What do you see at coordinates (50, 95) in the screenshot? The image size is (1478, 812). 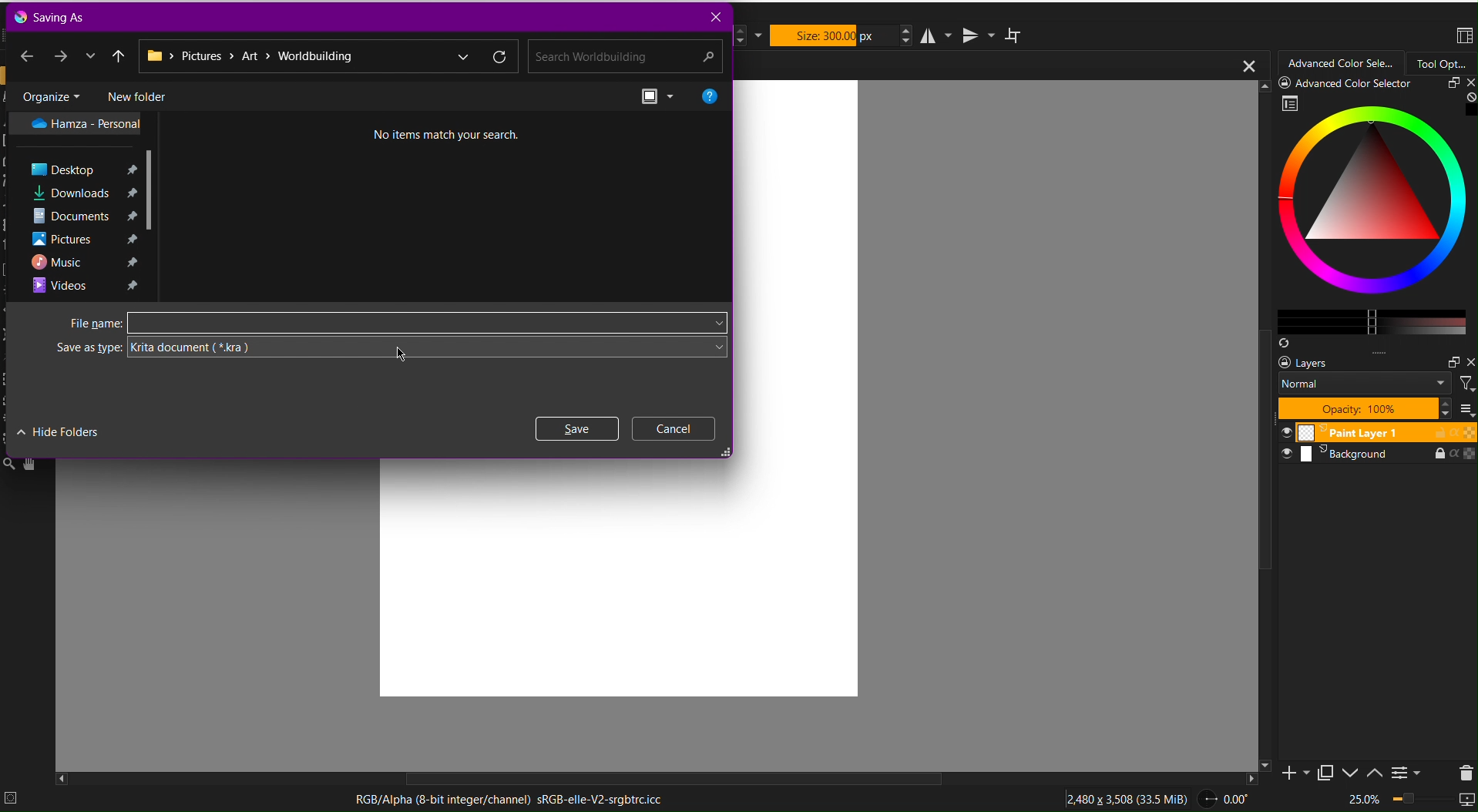 I see `Organize` at bounding box center [50, 95].